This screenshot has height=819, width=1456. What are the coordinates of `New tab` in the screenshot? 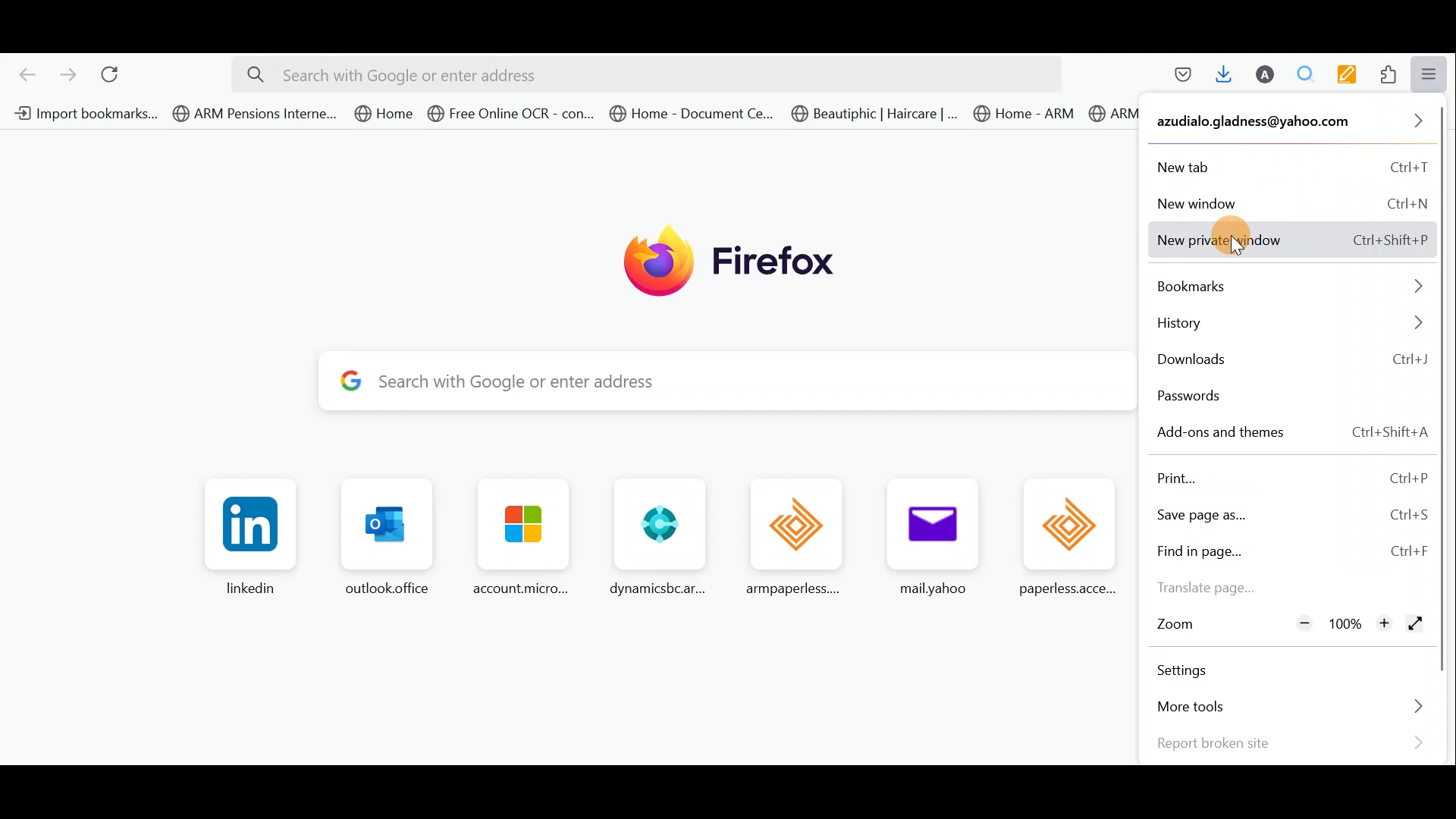 It's located at (1290, 164).